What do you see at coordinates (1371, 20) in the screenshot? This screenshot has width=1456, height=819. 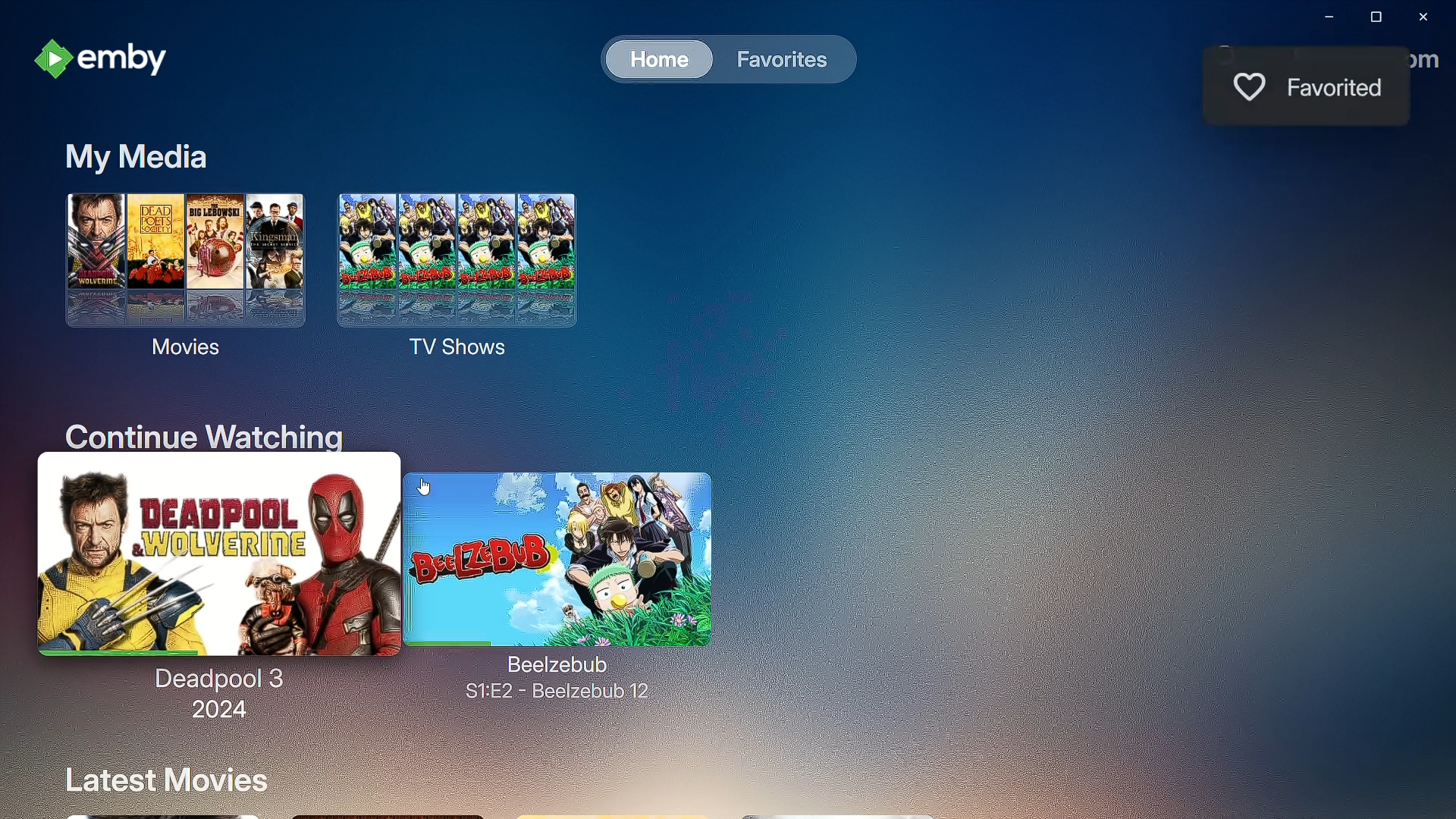 I see `Restore` at bounding box center [1371, 20].